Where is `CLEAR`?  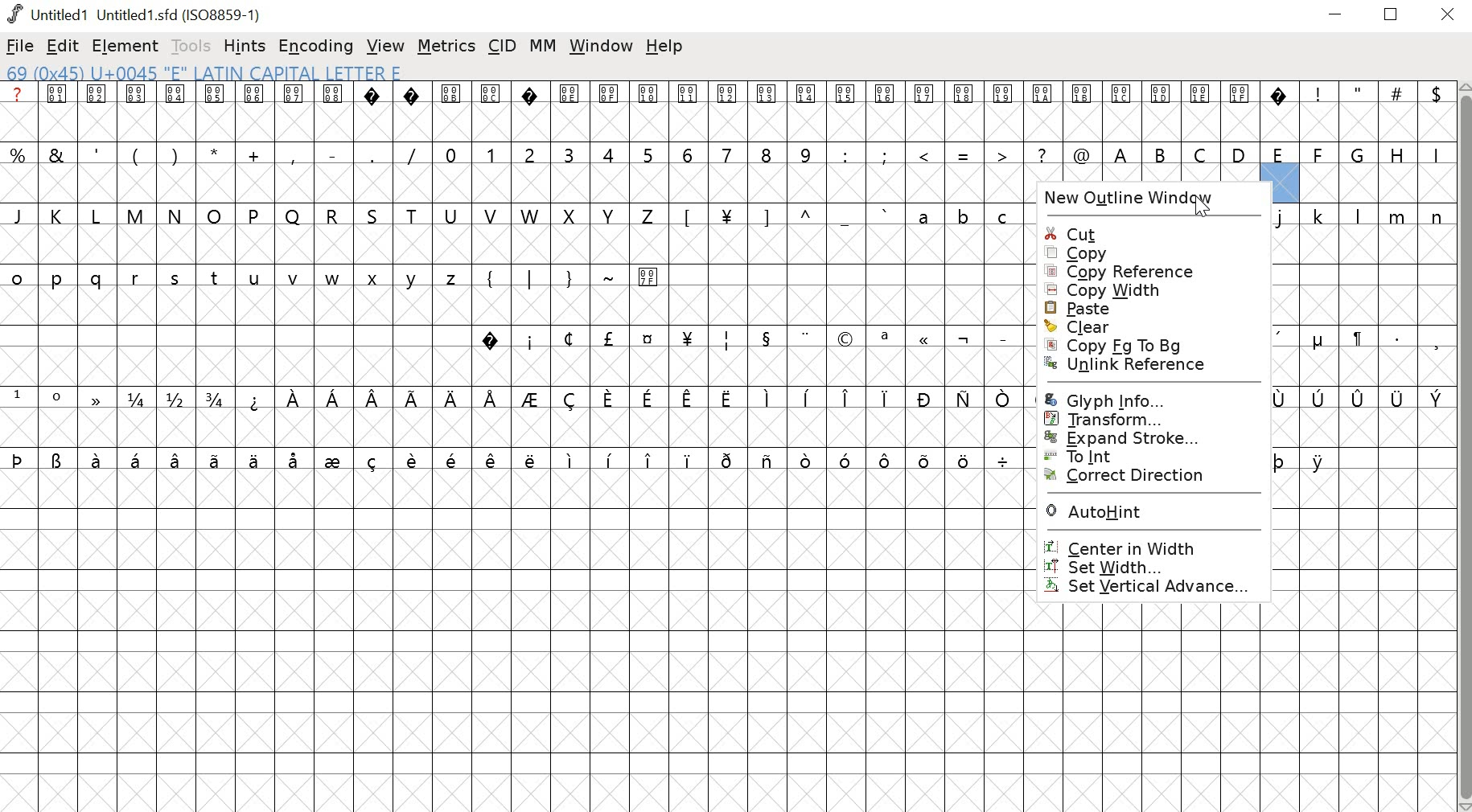
CLEAR is located at coordinates (1141, 327).